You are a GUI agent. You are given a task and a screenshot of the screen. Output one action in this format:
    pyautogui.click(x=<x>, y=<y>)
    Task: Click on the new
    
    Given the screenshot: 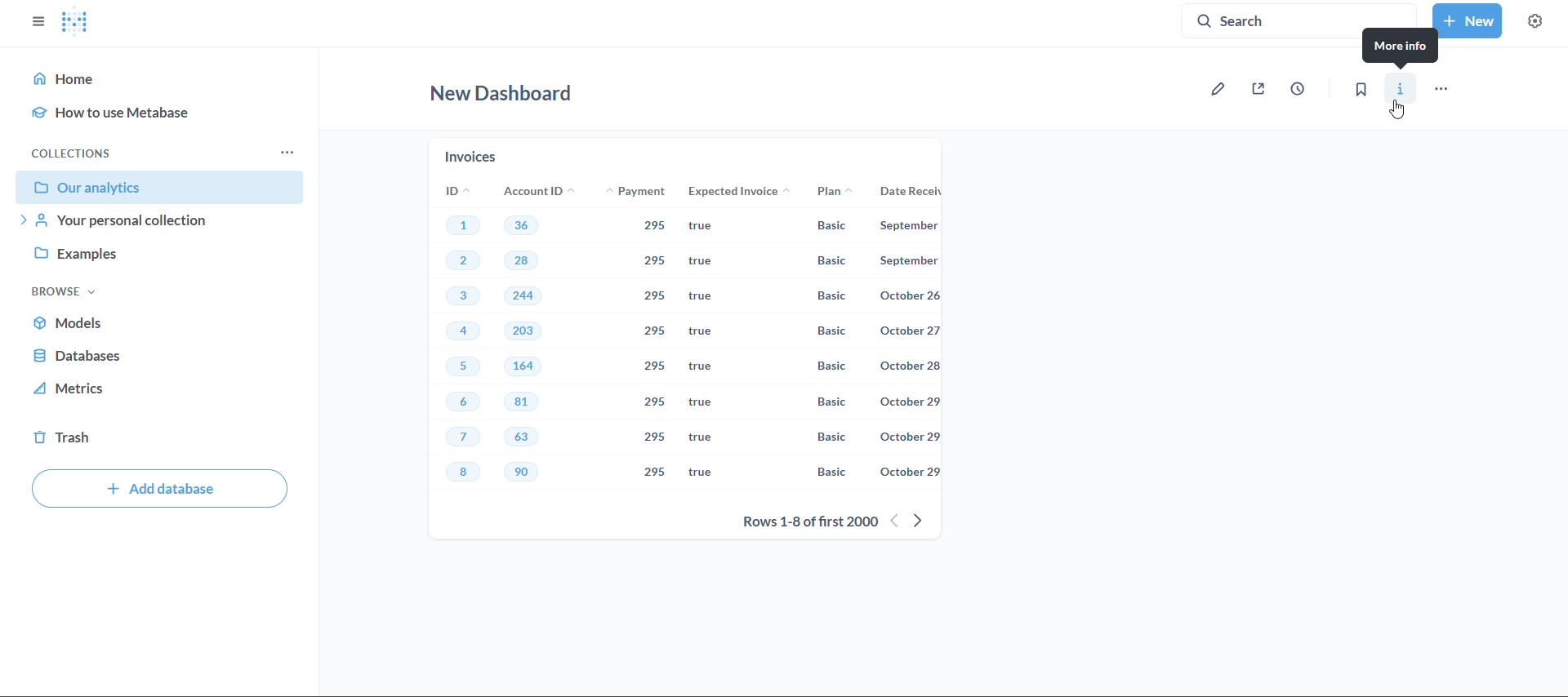 What is the action you would take?
    pyautogui.click(x=1468, y=21)
    